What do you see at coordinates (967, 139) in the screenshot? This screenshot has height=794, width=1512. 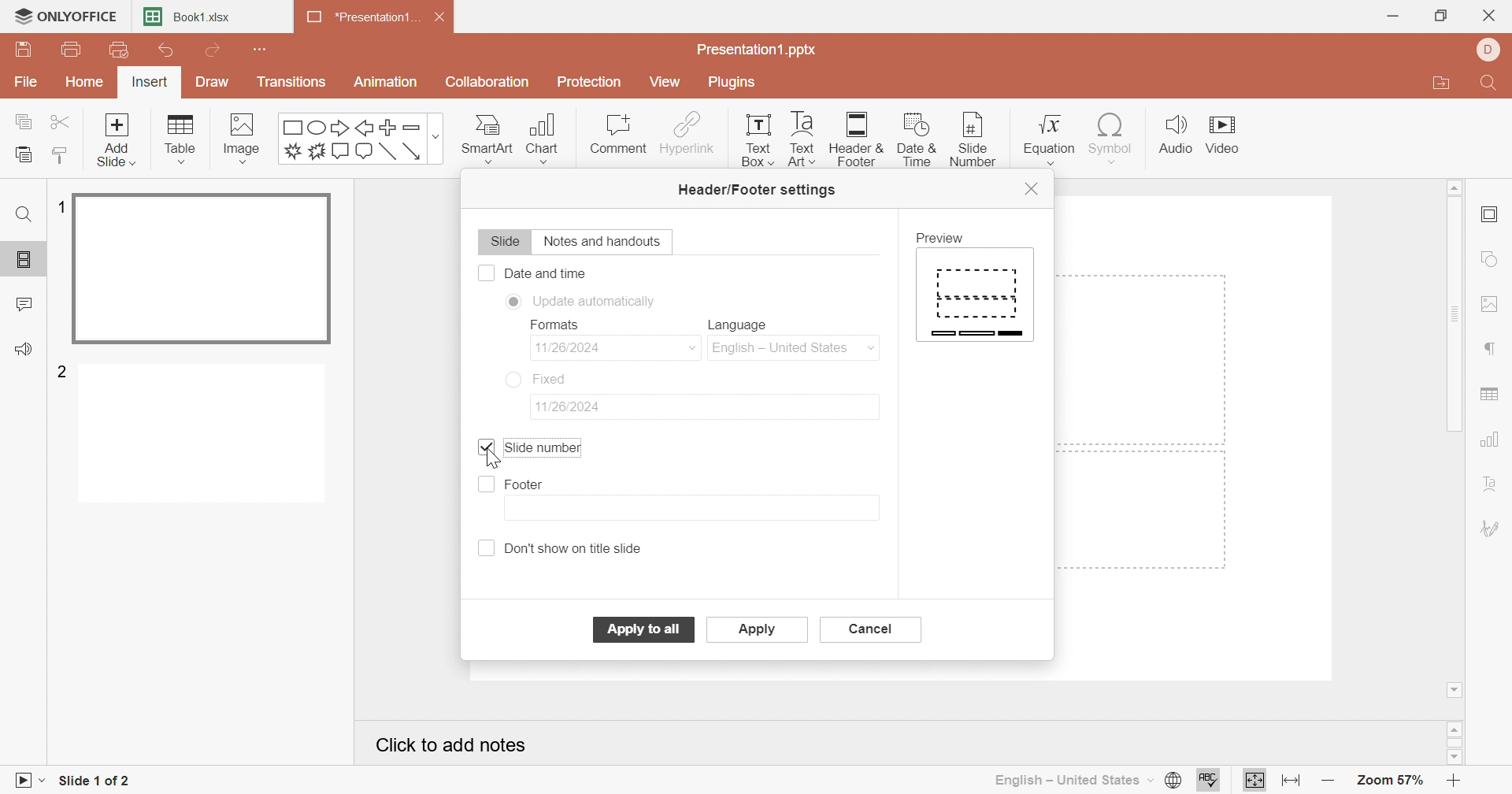 I see `Slide number` at bounding box center [967, 139].